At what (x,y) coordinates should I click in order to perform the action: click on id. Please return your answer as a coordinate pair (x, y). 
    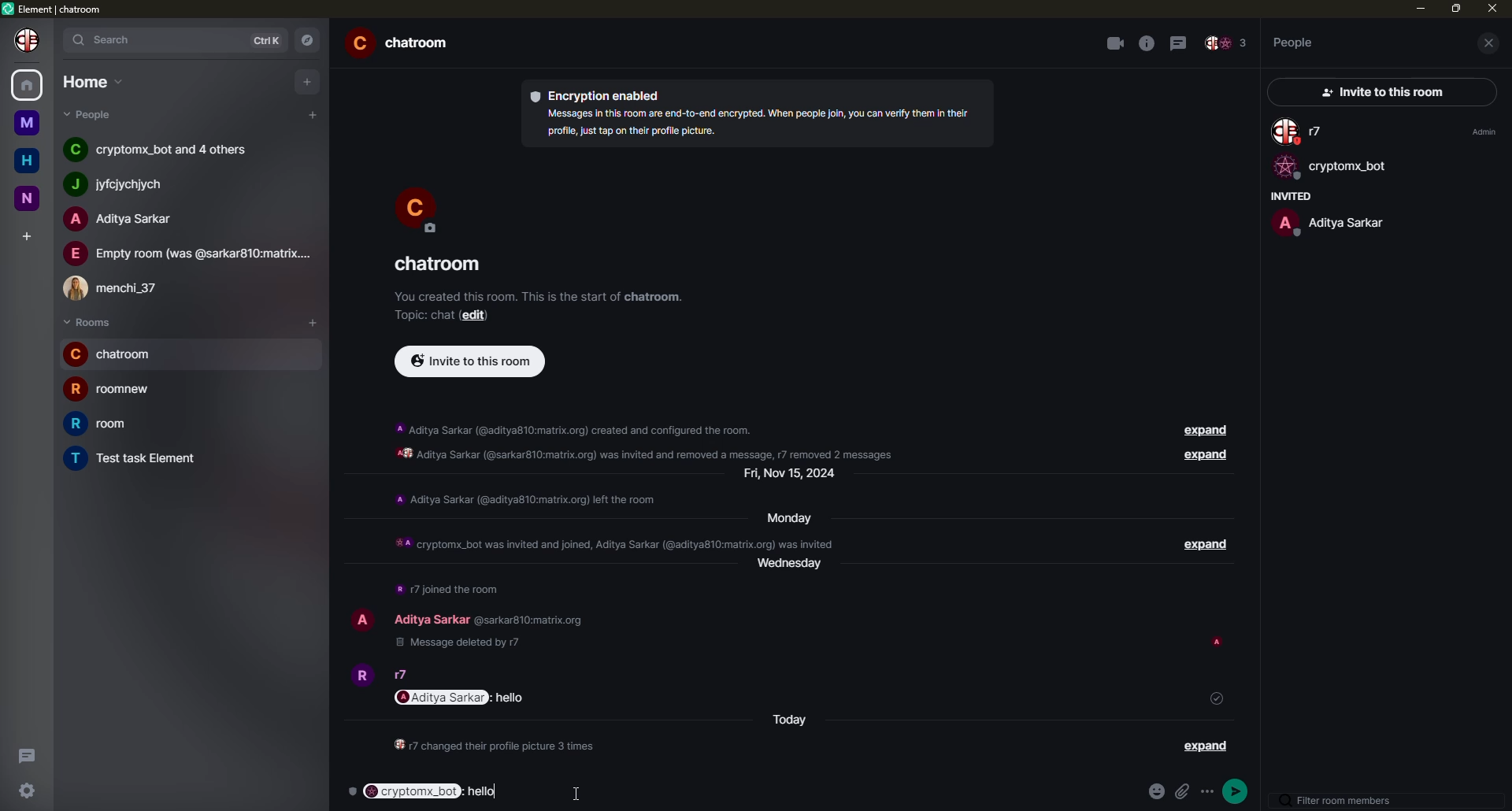
    Looking at the image, I should click on (527, 621).